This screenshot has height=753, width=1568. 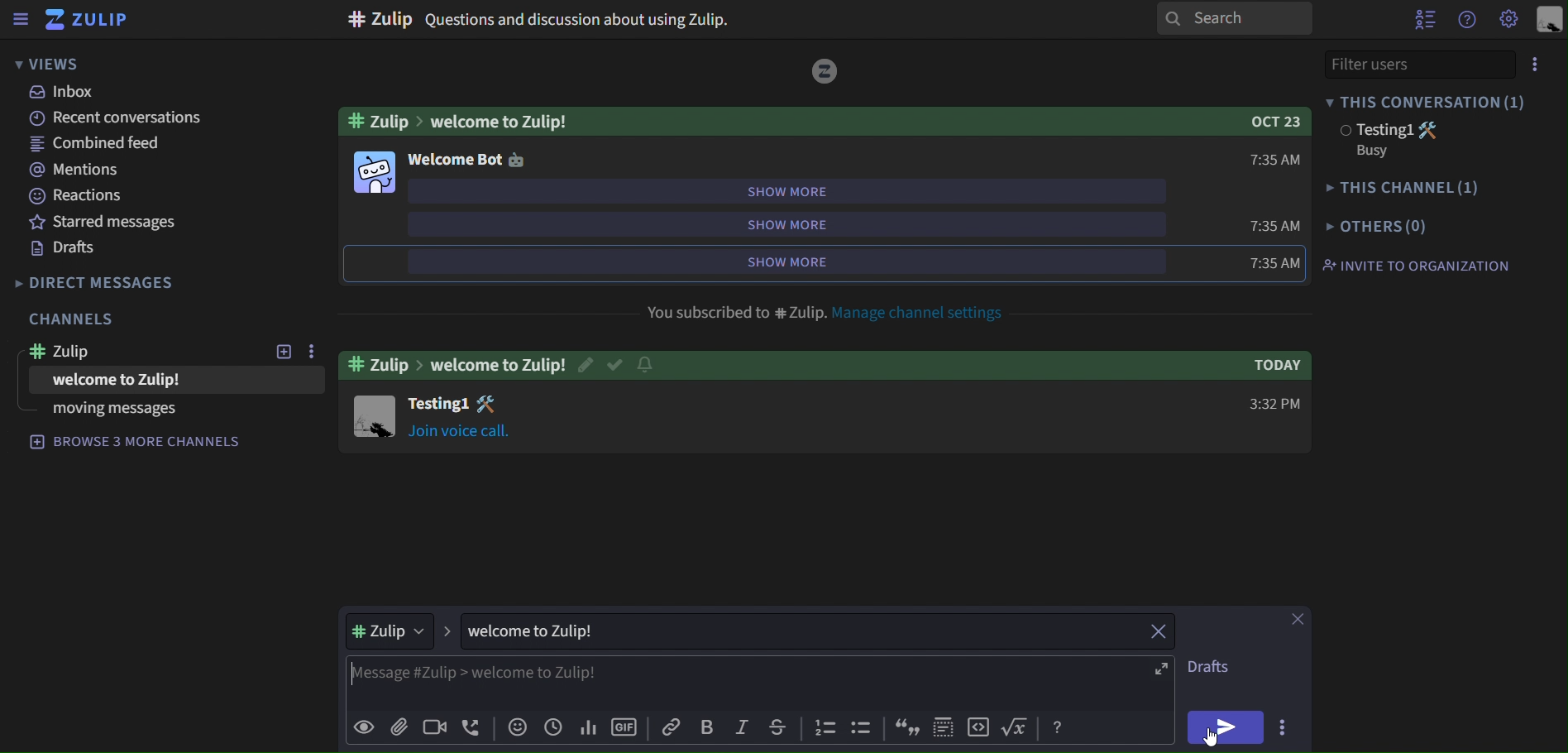 What do you see at coordinates (93, 20) in the screenshot?
I see `zulip` at bounding box center [93, 20].